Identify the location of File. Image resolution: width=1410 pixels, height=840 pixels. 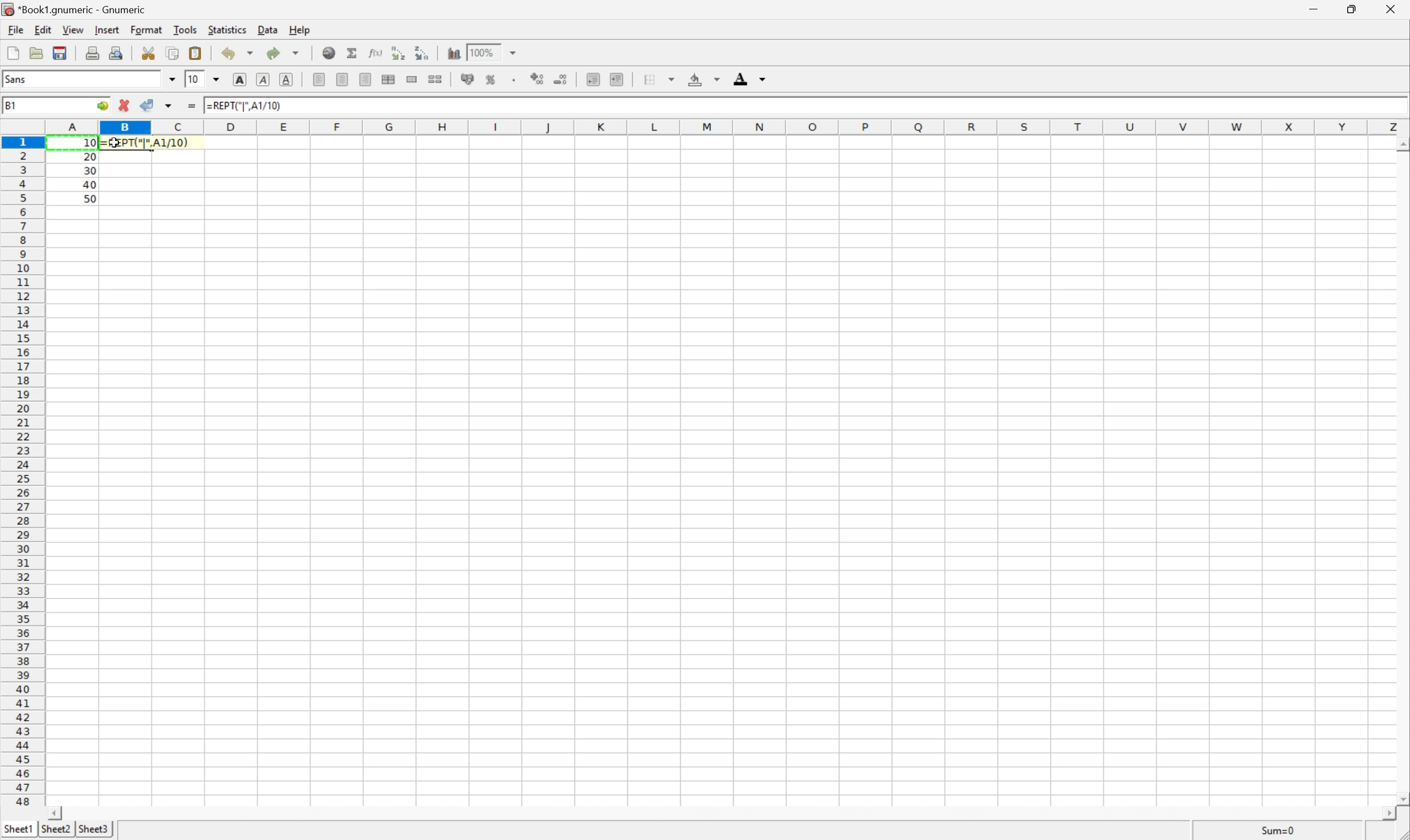
(15, 30).